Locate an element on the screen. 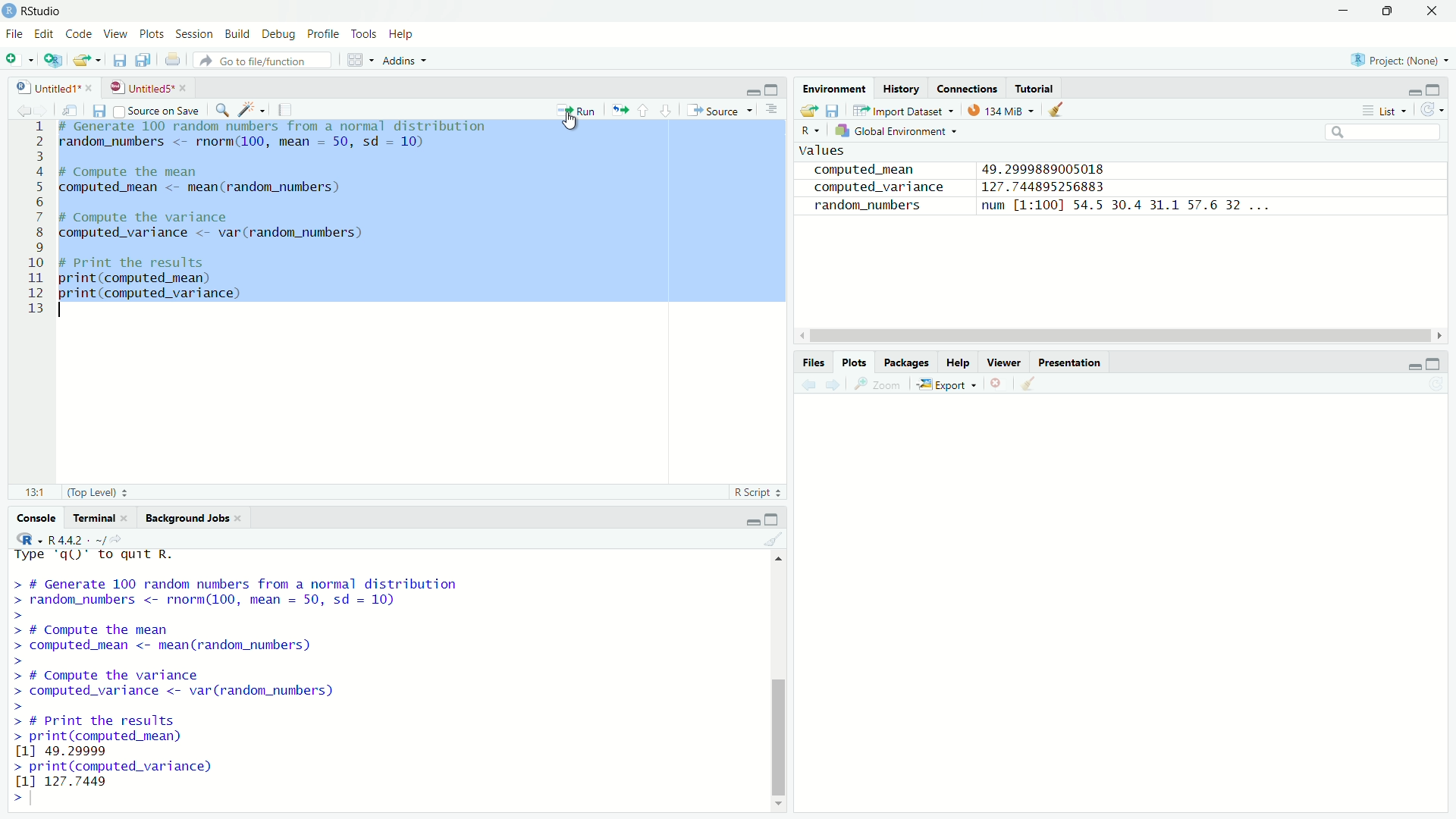  computed_variance <- var (random_numbers) is located at coordinates (227, 232).